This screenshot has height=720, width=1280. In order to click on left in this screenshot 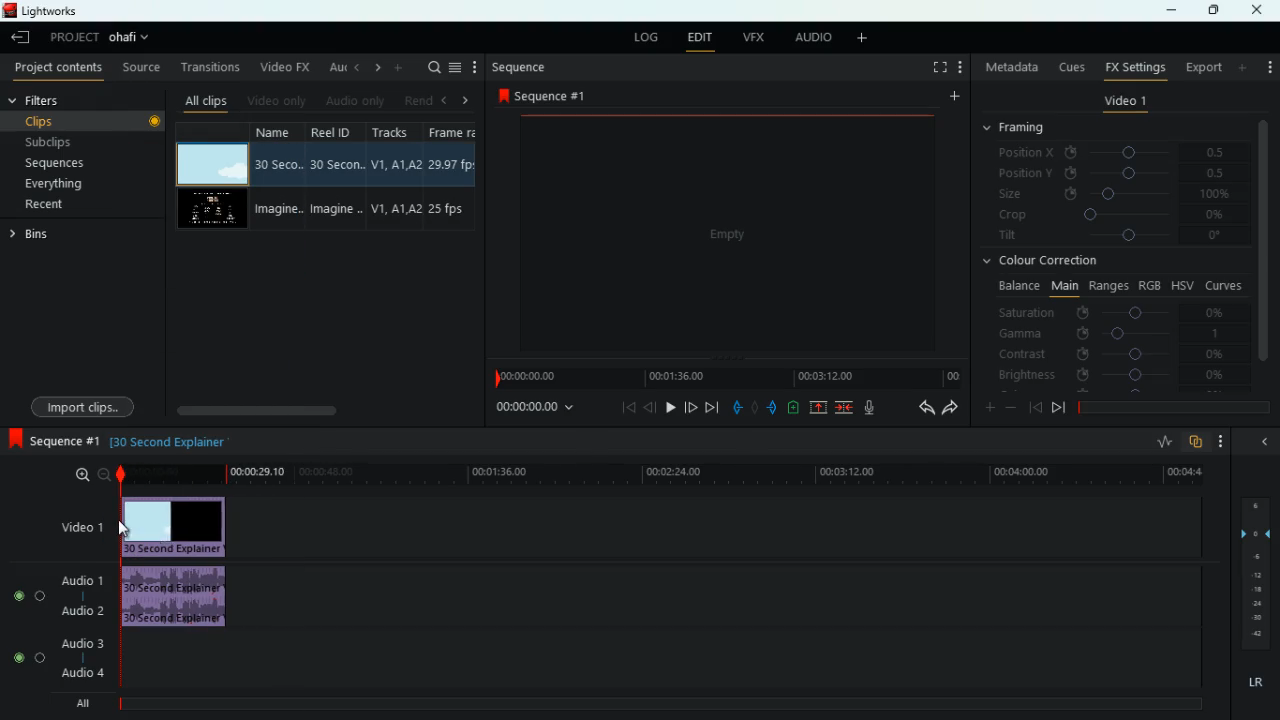, I will do `click(354, 67)`.